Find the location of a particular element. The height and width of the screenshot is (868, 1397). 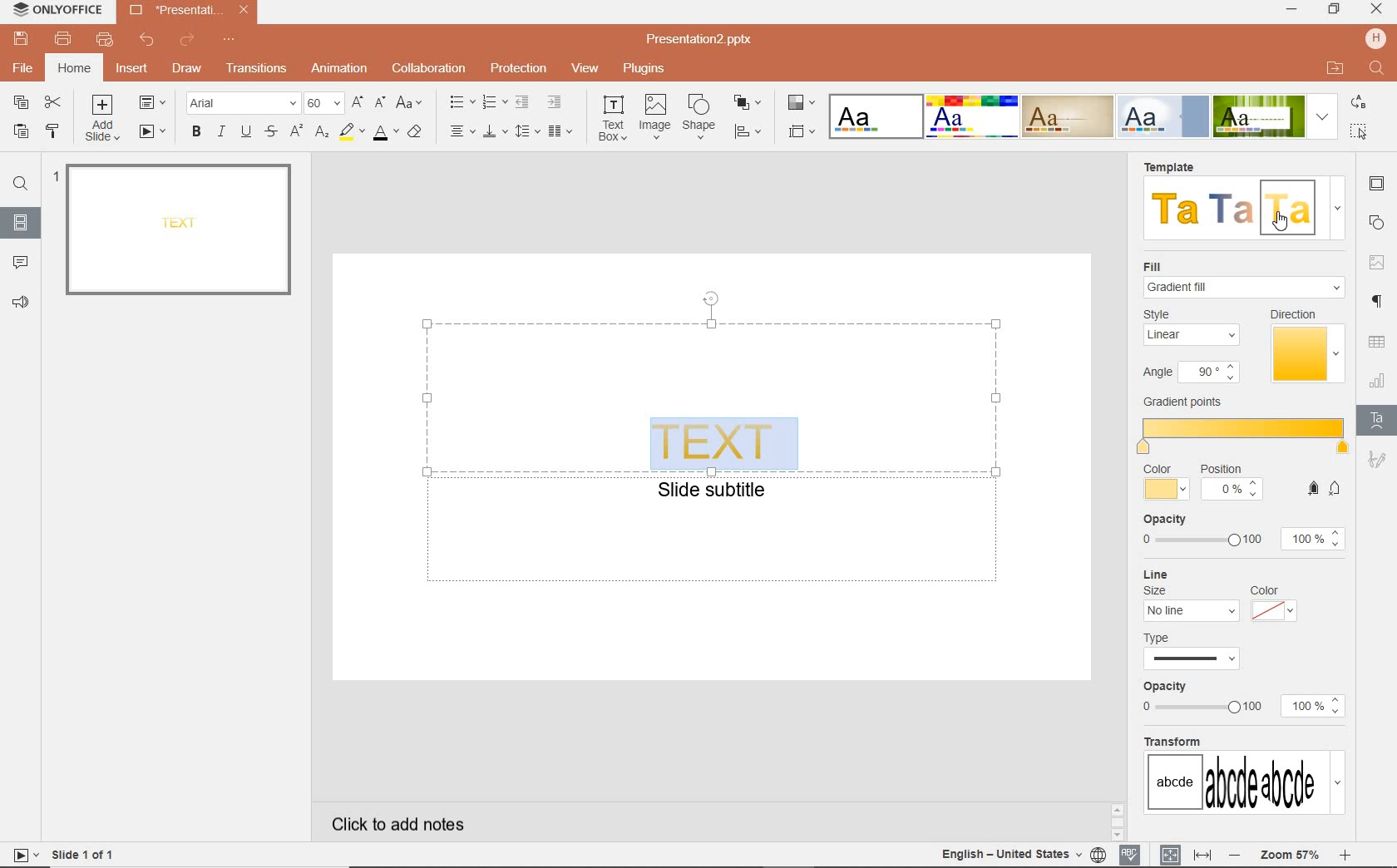

find is located at coordinates (1378, 70).